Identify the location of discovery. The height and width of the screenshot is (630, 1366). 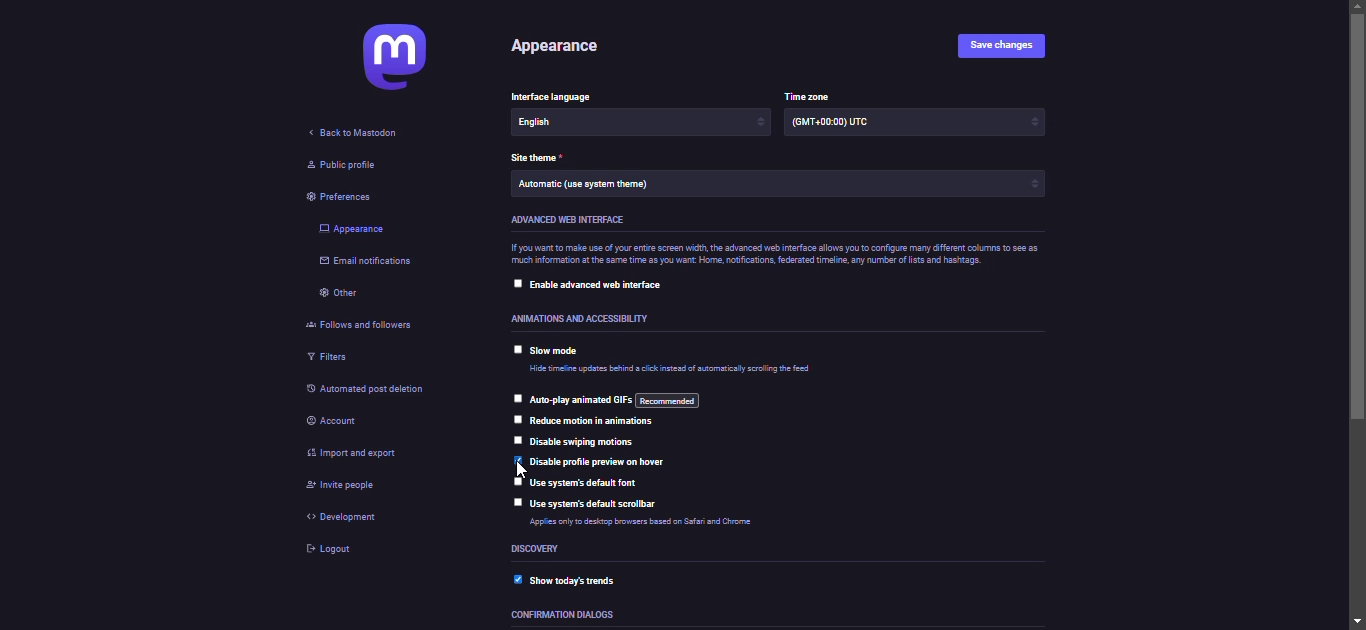
(541, 549).